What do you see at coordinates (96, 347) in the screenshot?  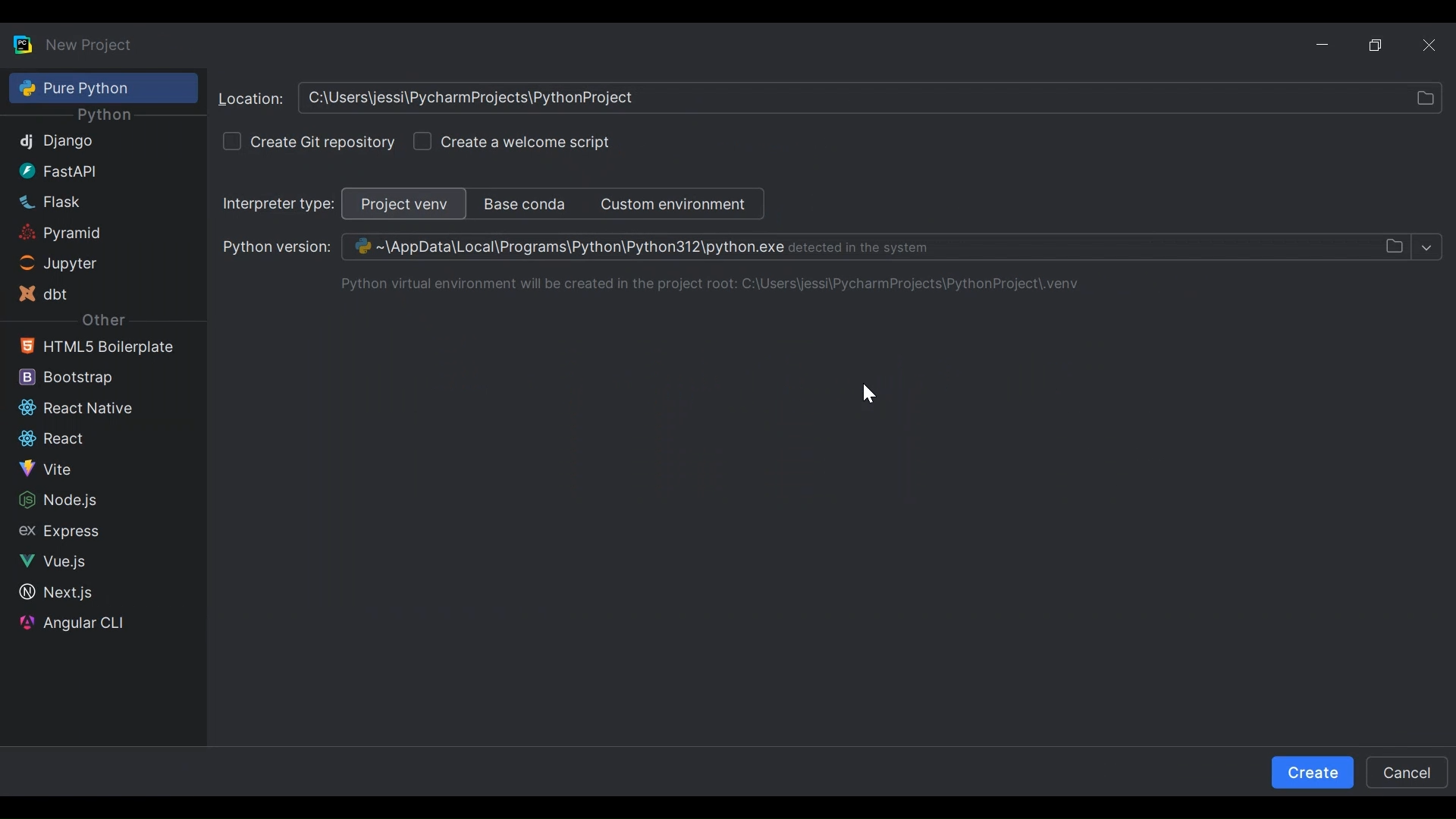 I see `HTML5 Boilerplate` at bounding box center [96, 347].